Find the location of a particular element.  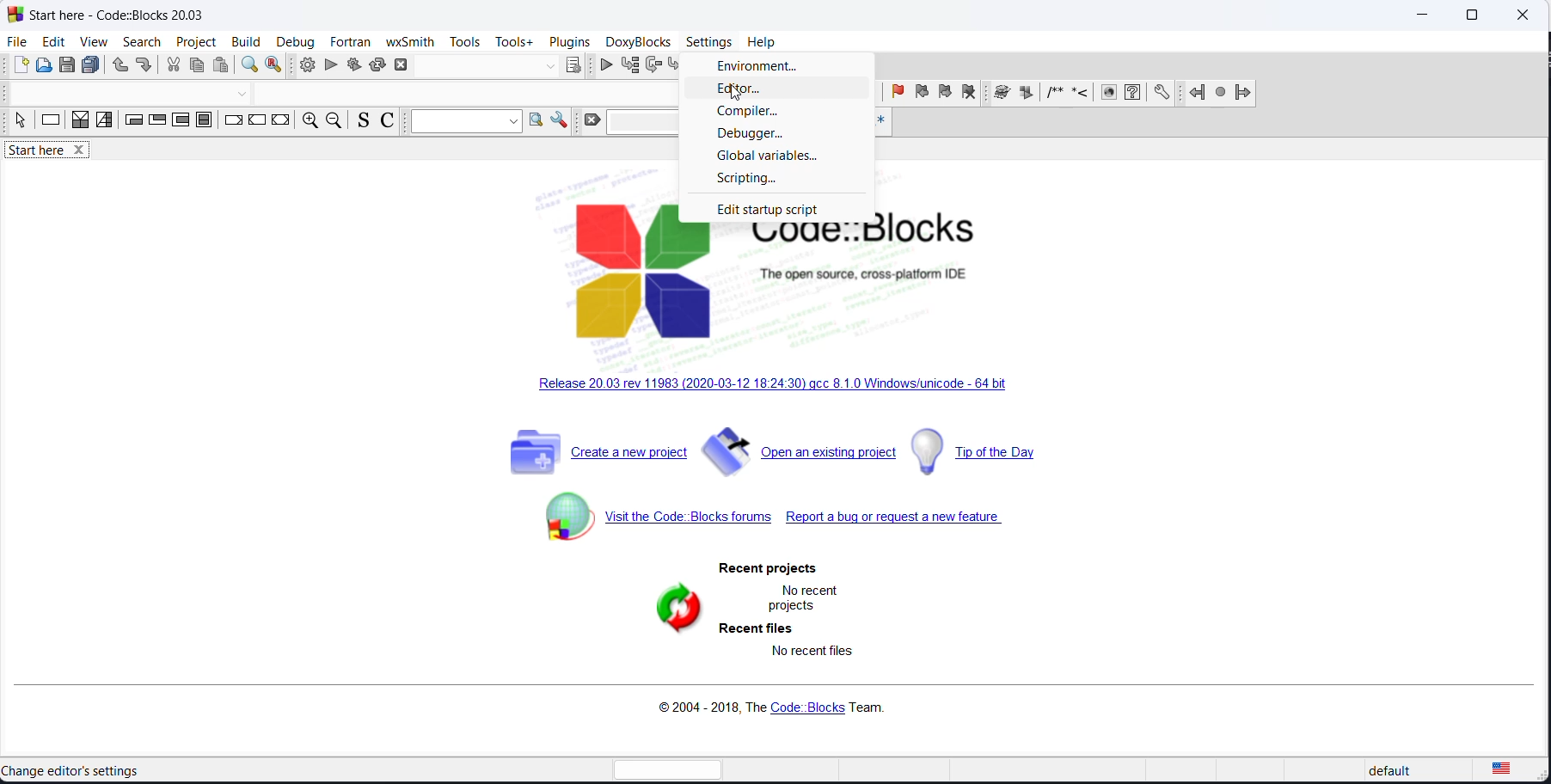

redo is located at coordinates (145, 67).